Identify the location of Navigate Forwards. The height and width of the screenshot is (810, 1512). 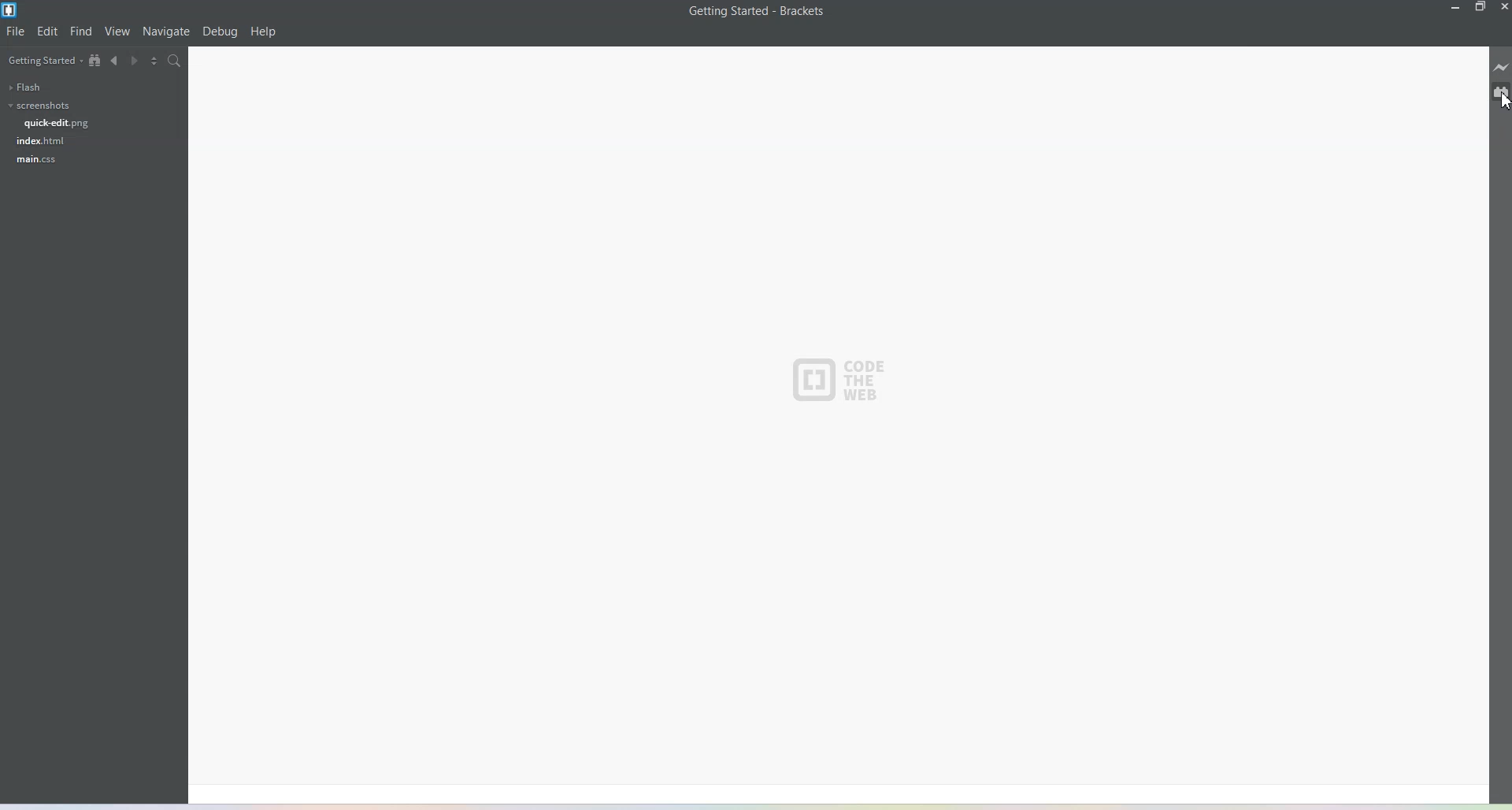
(138, 63).